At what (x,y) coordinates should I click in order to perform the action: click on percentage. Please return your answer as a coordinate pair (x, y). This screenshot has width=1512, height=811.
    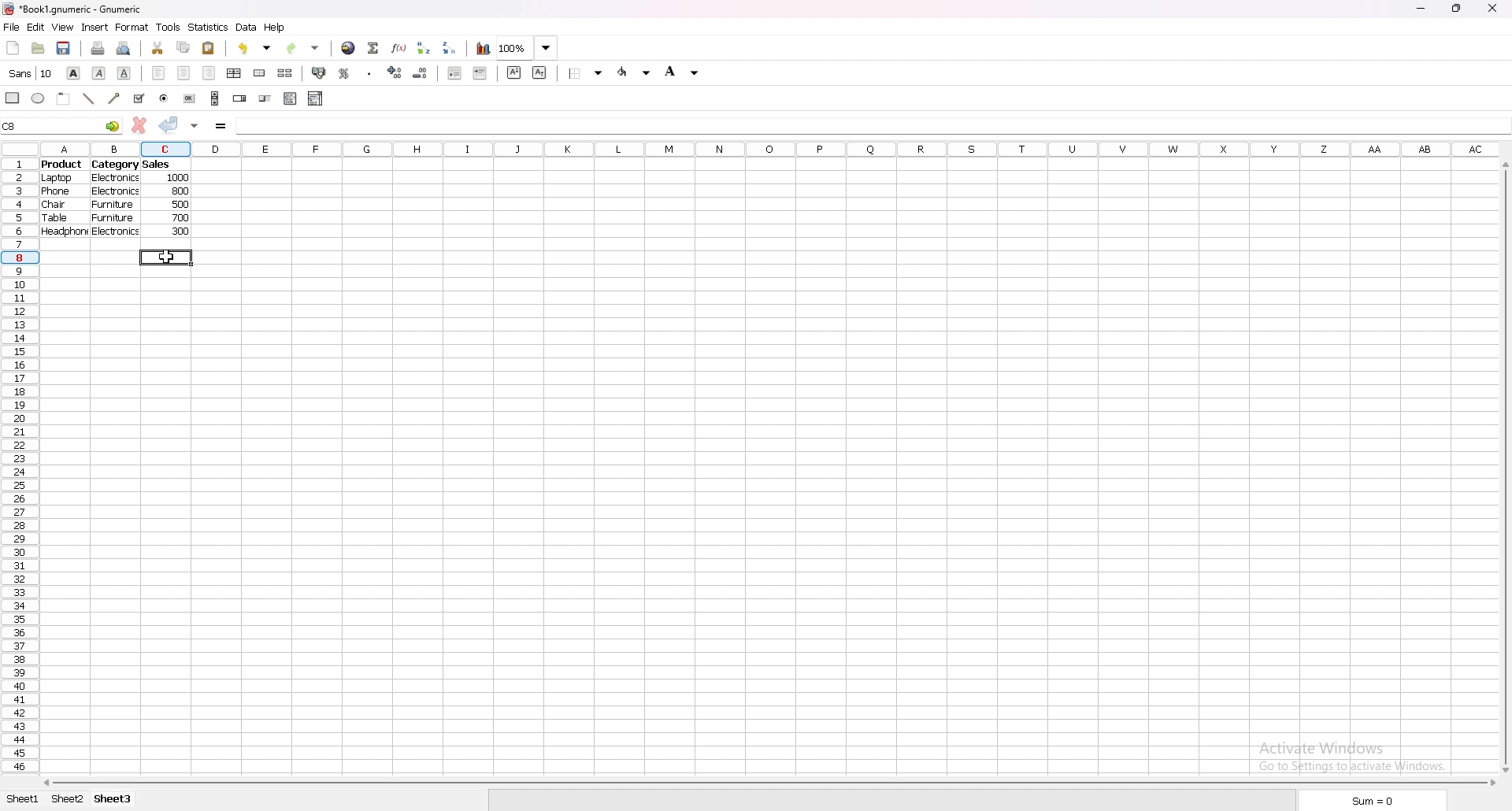
    Looking at the image, I should click on (344, 72).